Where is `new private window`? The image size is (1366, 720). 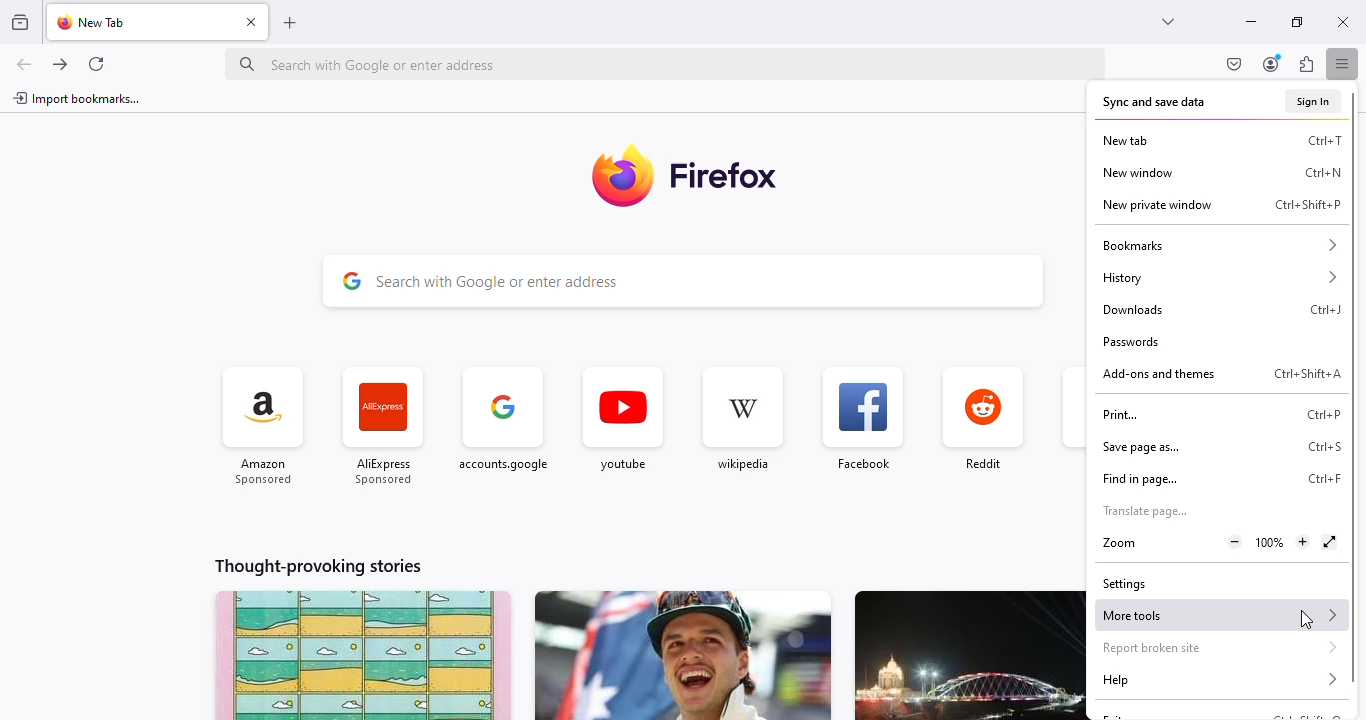 new private window is located at coordinates (1157, 205).